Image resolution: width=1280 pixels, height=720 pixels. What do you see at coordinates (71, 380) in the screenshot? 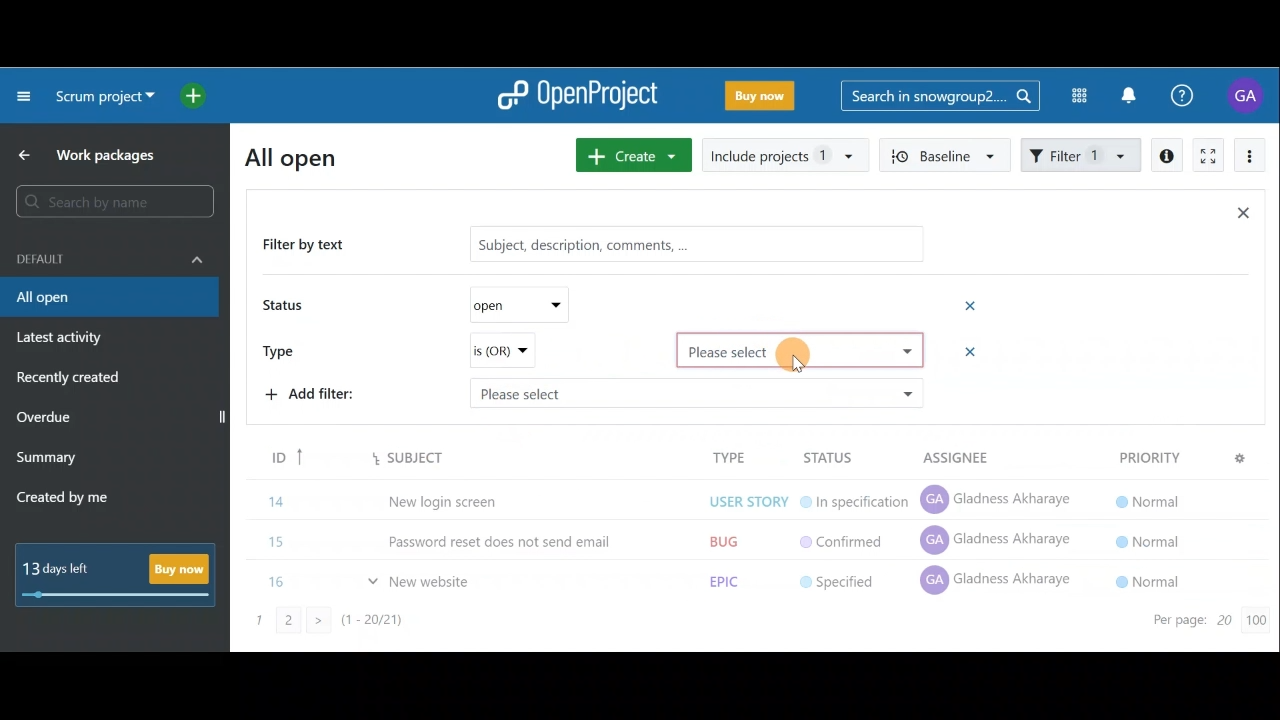
I see `Recently created` at bounding box center [71, 380].